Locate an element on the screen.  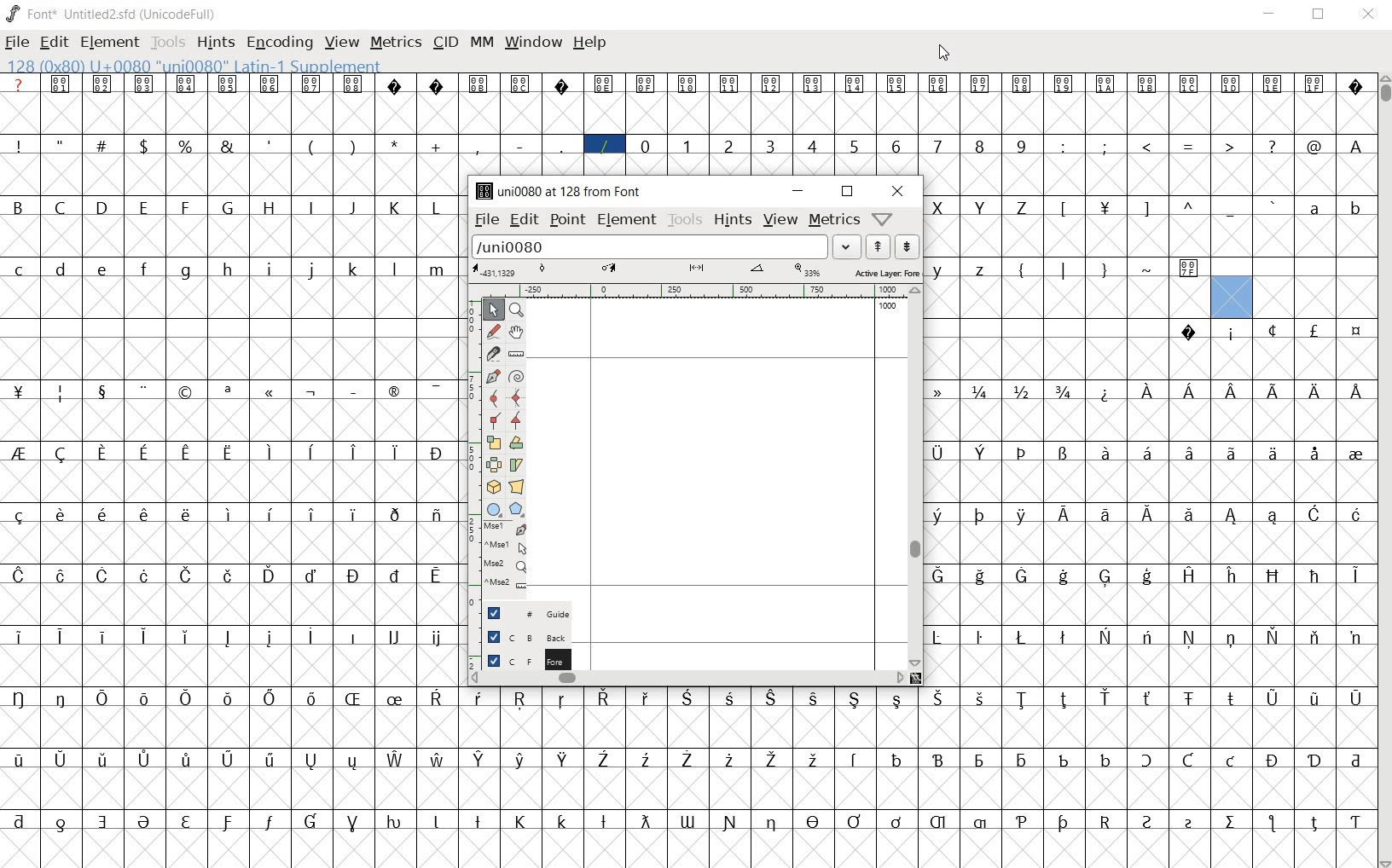
glyph is located at coordinates (1105, 760).